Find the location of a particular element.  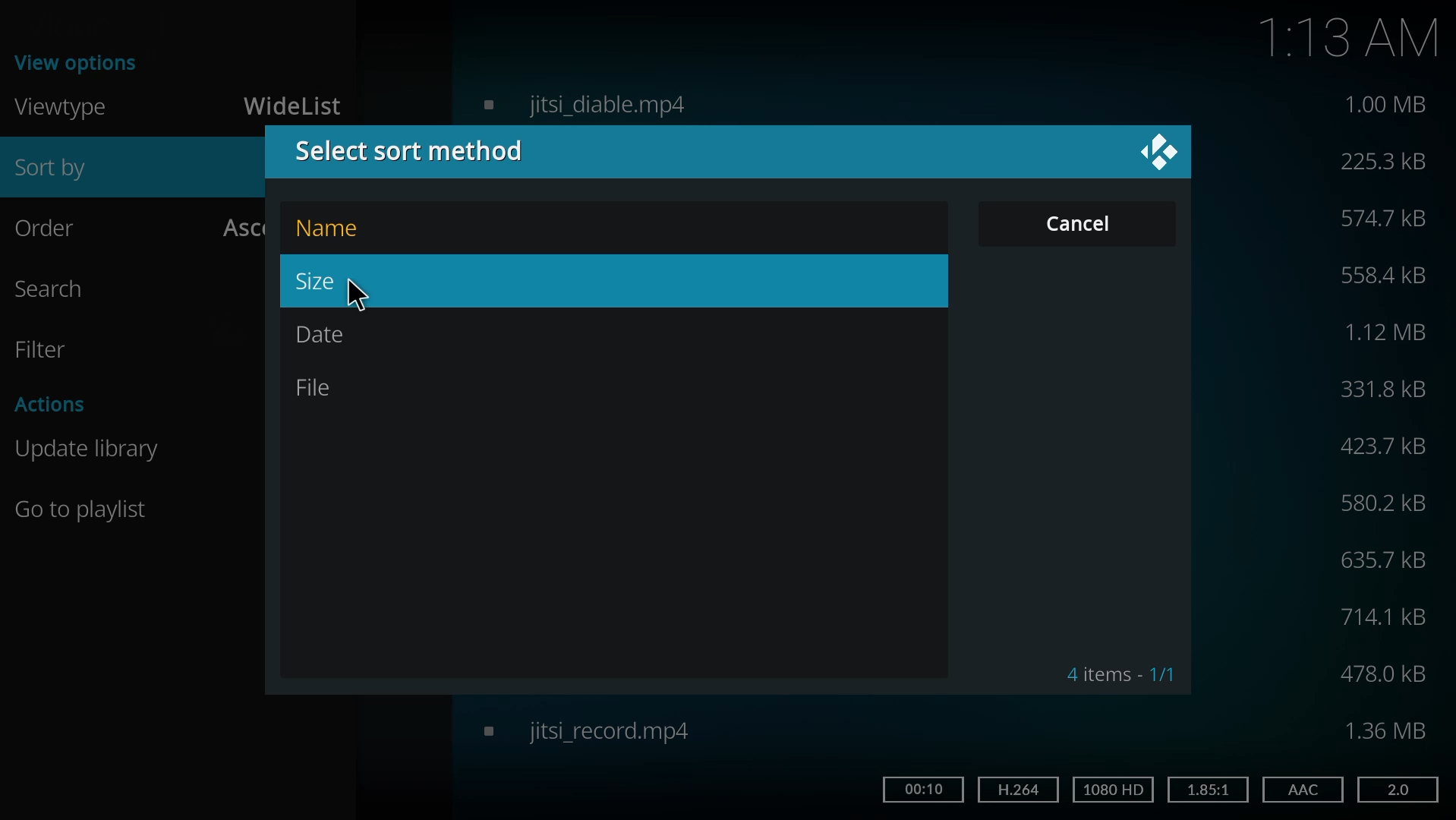

viewtype is located at coordinates (66, 109).